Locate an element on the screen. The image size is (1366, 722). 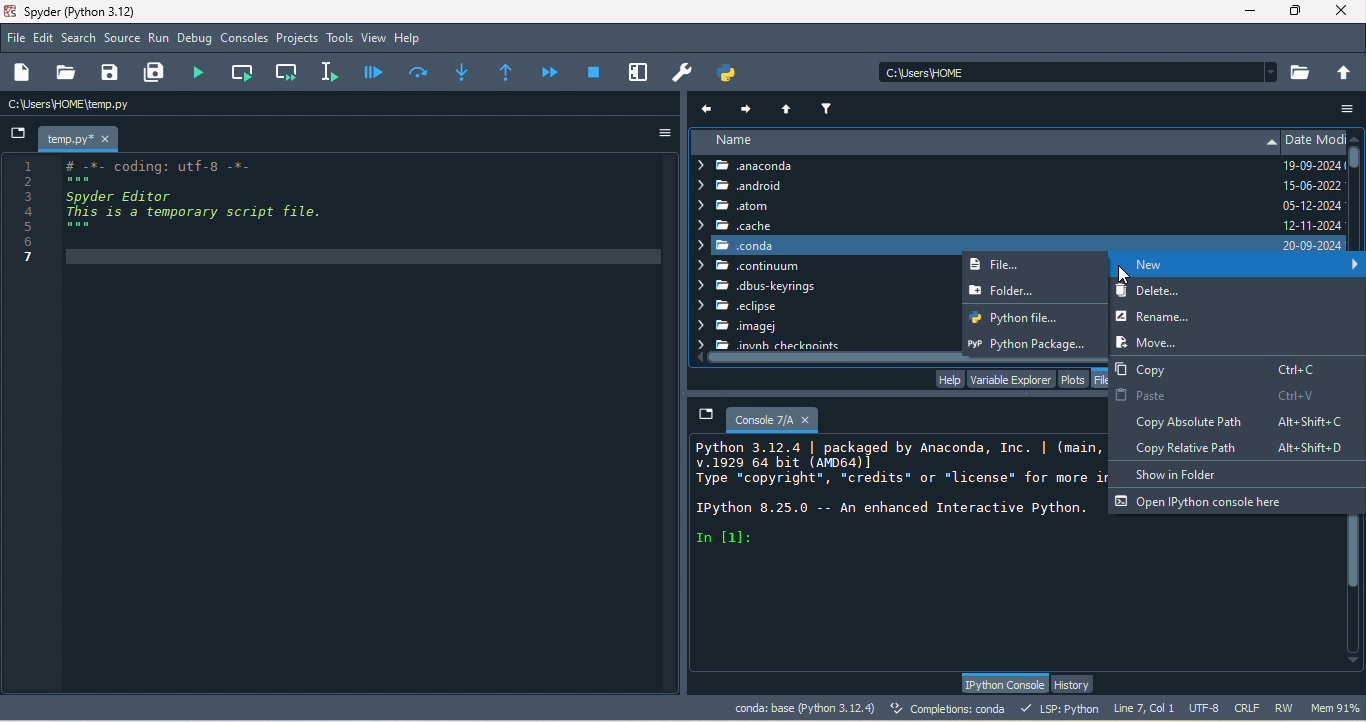
conda is located at coordinates (983, 244).